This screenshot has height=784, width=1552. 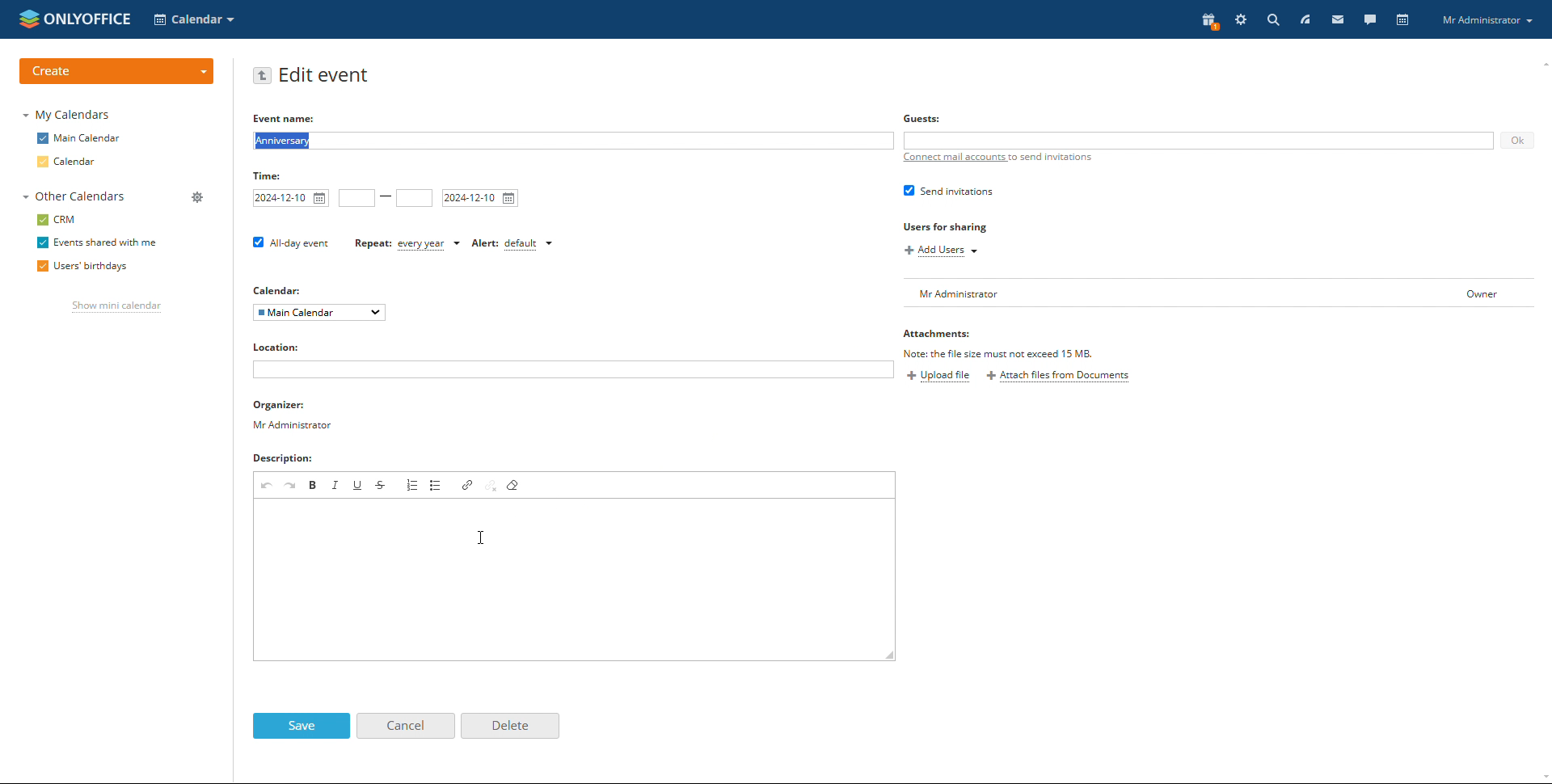 I want to click on logo, so click(x=75, y=18).